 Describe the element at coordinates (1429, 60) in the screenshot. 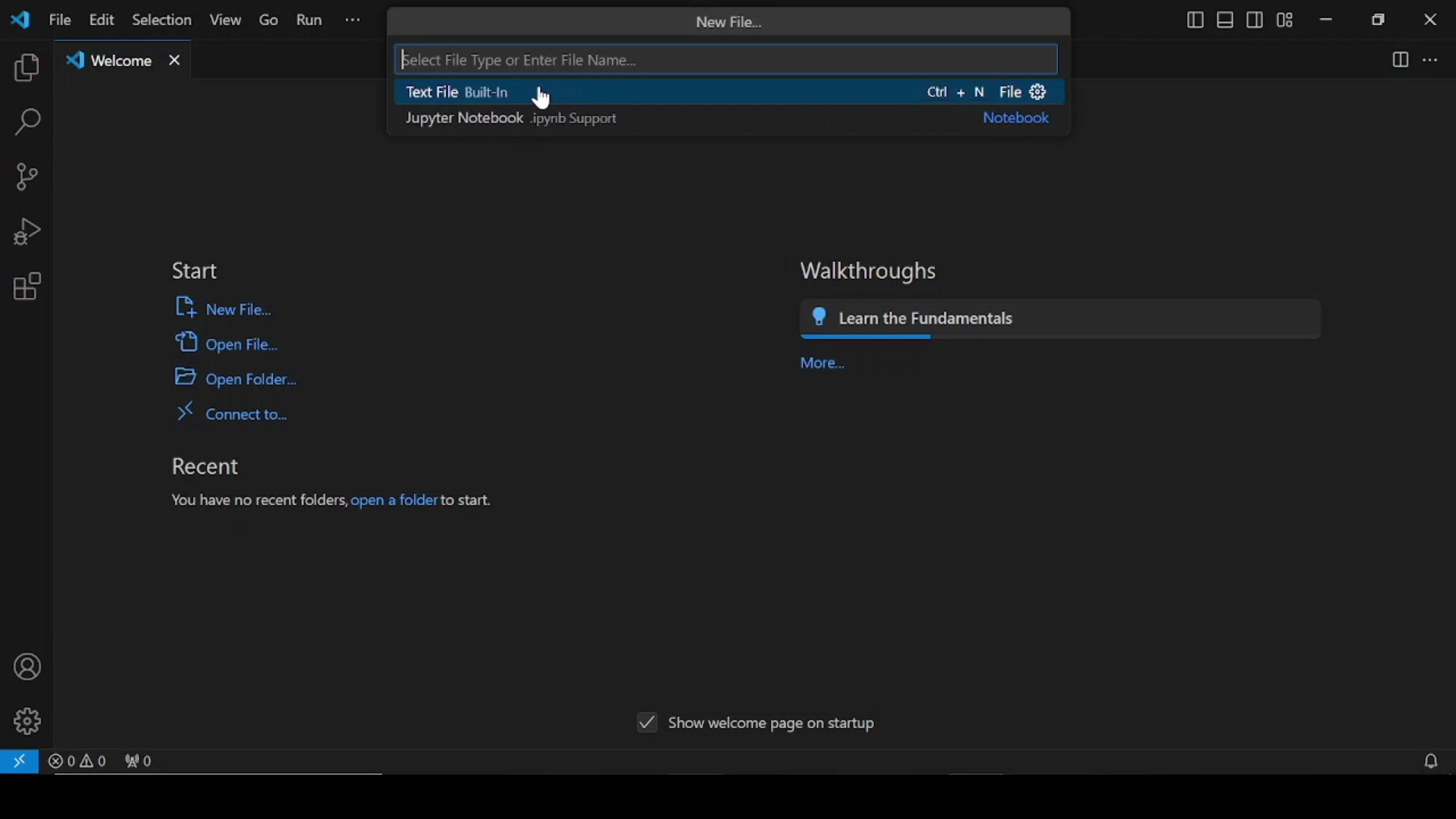

I see `more actions` at that location.